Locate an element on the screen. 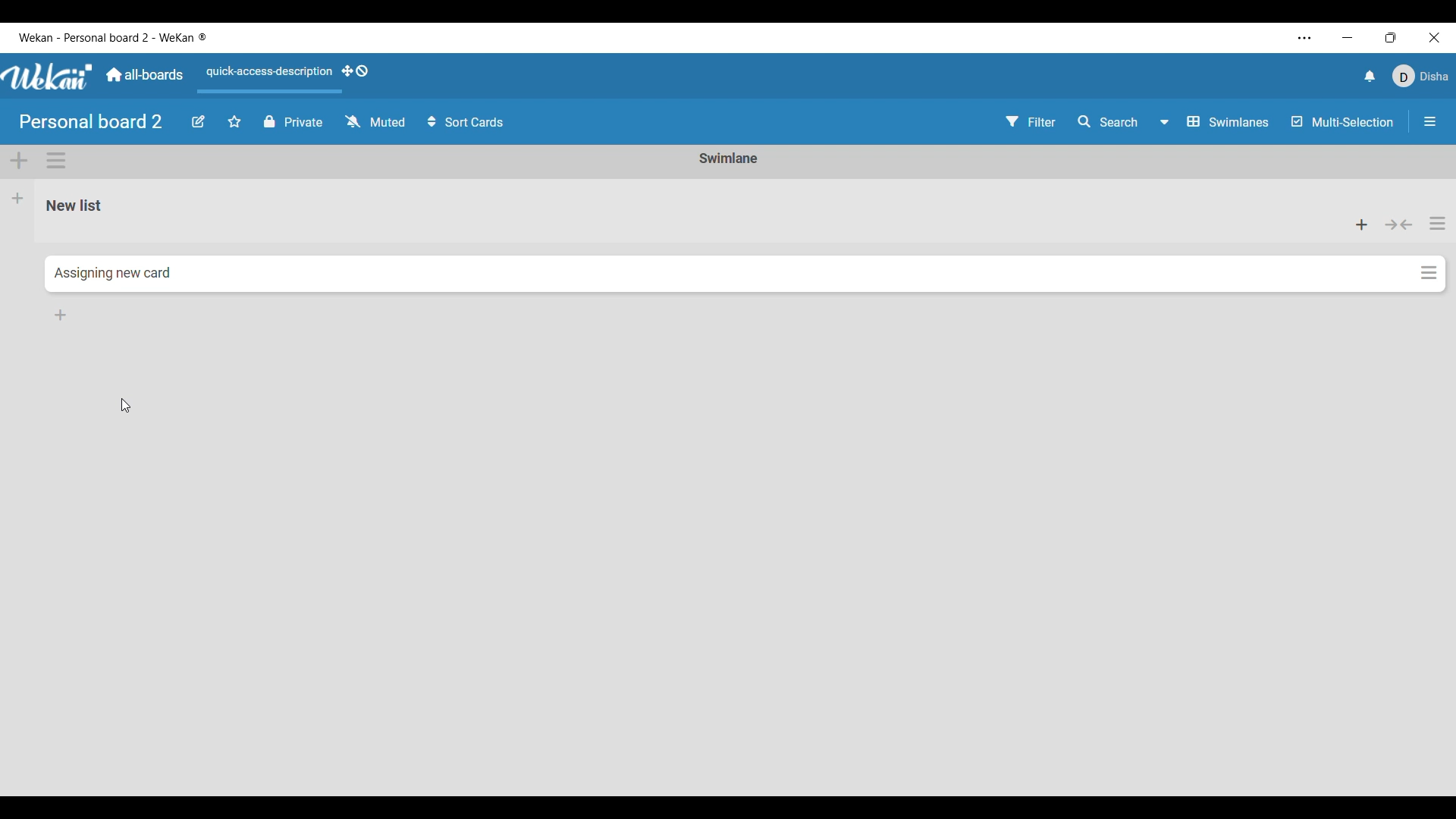 This screenshot has height=819, width=1456. Software logo is located at coordinates (48, 77).